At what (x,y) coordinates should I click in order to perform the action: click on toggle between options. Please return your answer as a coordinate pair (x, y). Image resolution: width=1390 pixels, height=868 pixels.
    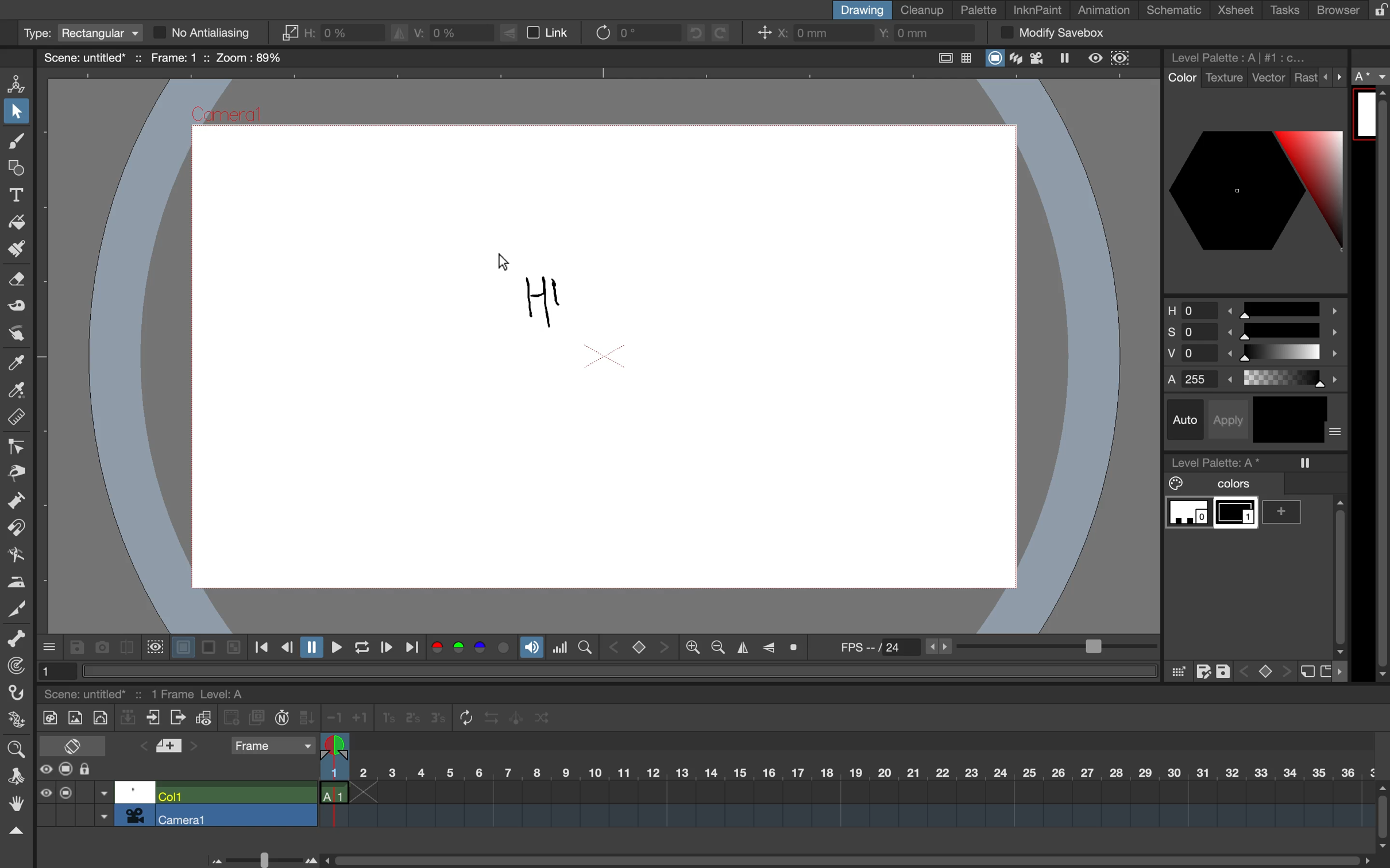
    Looking at the image, I should click on (104, 806).